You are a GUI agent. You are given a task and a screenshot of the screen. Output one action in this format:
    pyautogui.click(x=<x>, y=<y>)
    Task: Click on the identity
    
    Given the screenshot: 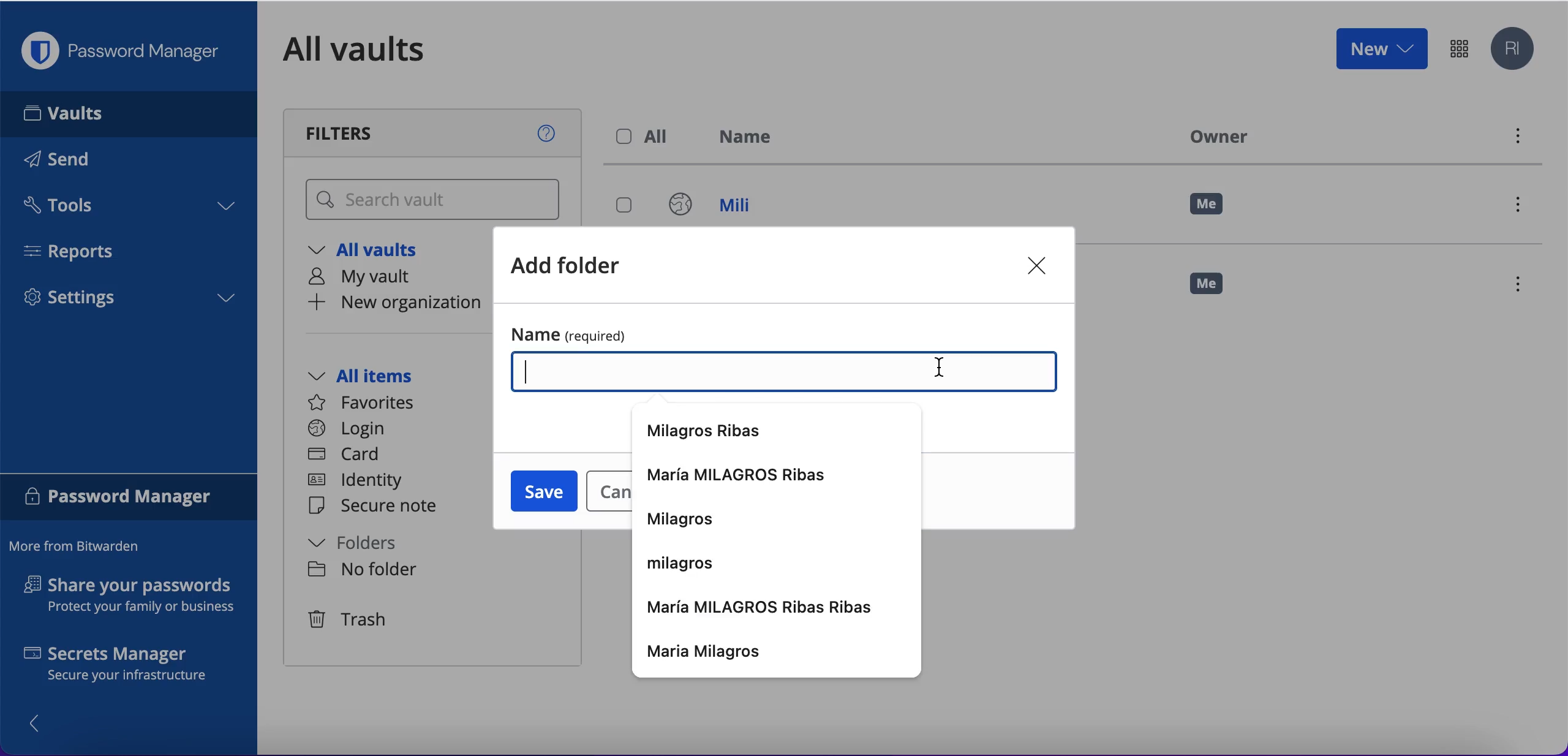 What is the action you would take?
    pyautogui.click(x=360, y=480)
    